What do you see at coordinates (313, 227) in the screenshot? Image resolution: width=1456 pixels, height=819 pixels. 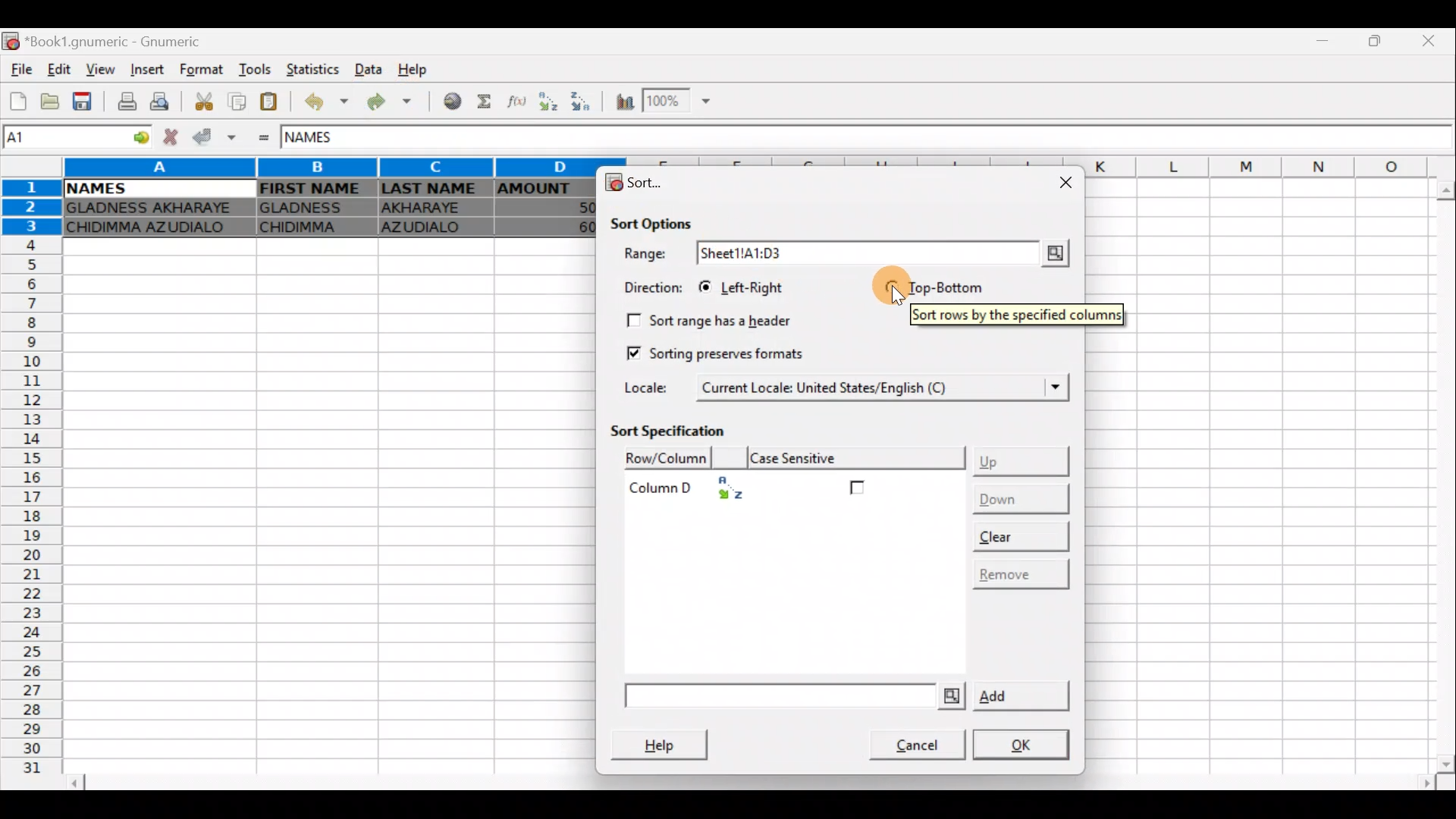 I see `CHIDIMMA` at bounding box center [313, 227].